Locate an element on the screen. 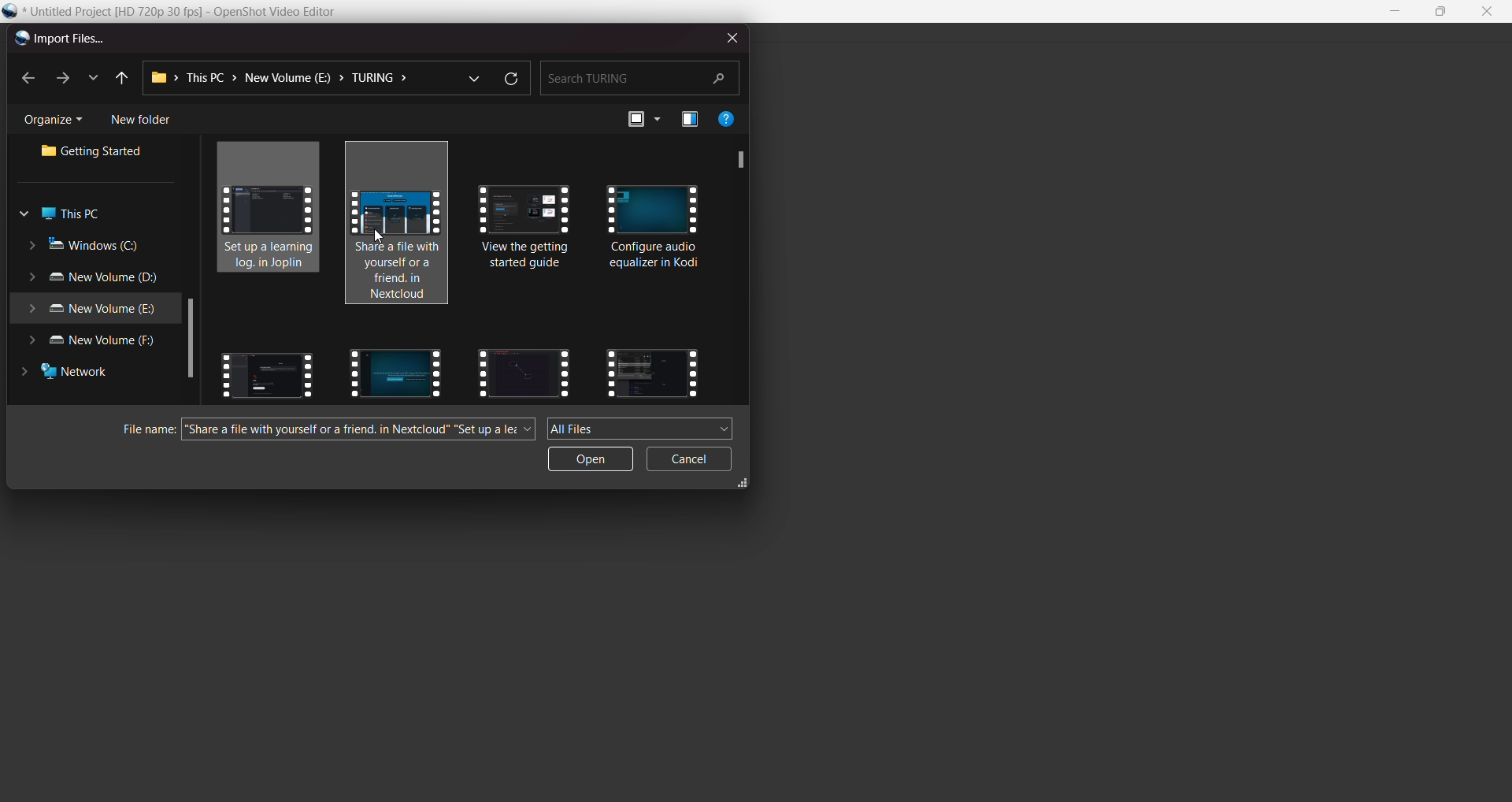 The height and width of the screenshot is (802, 1512). maximise is located at coordinates (1443, 13).